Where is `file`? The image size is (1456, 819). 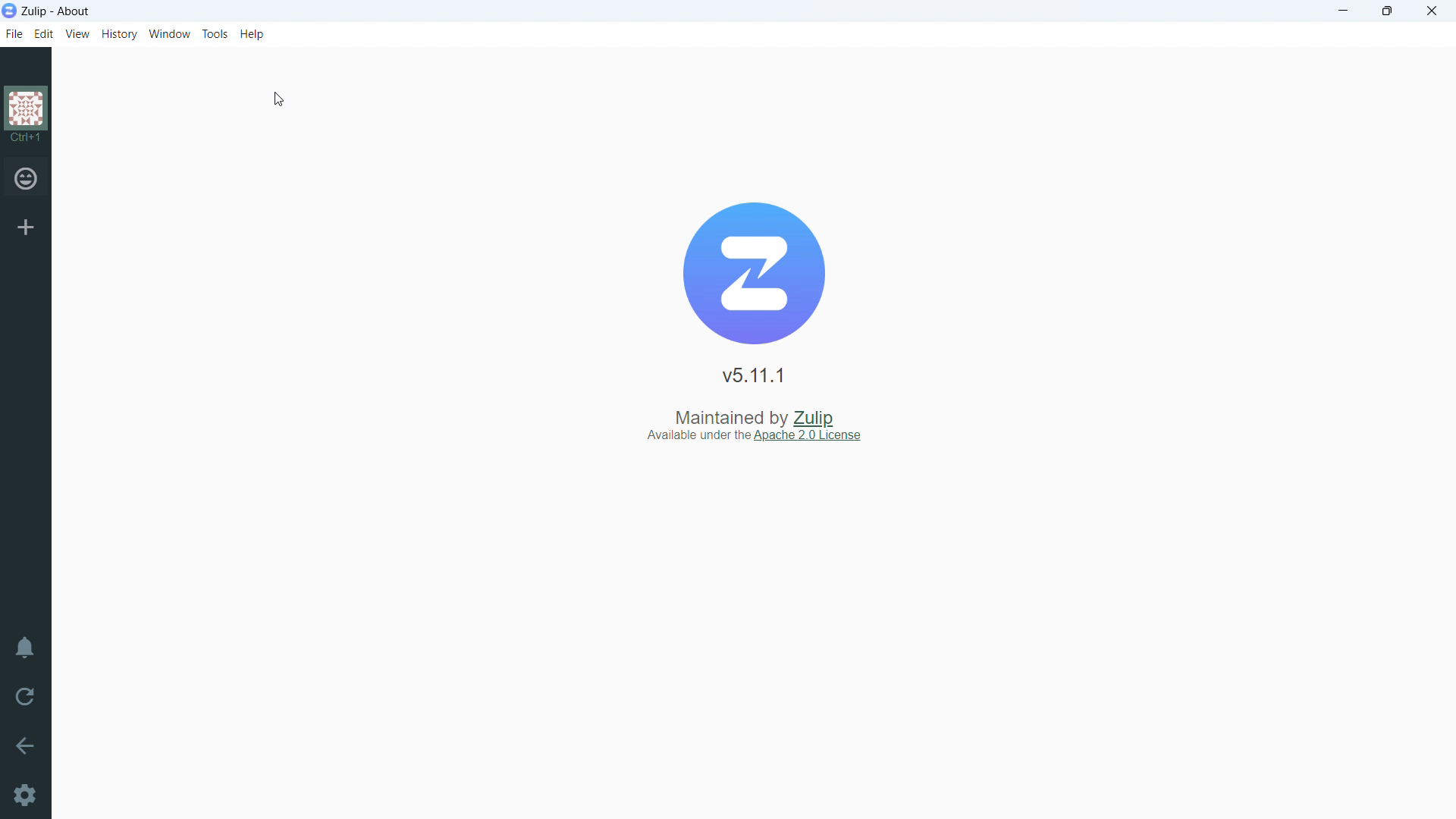 file is located at coordinates (14, 36).